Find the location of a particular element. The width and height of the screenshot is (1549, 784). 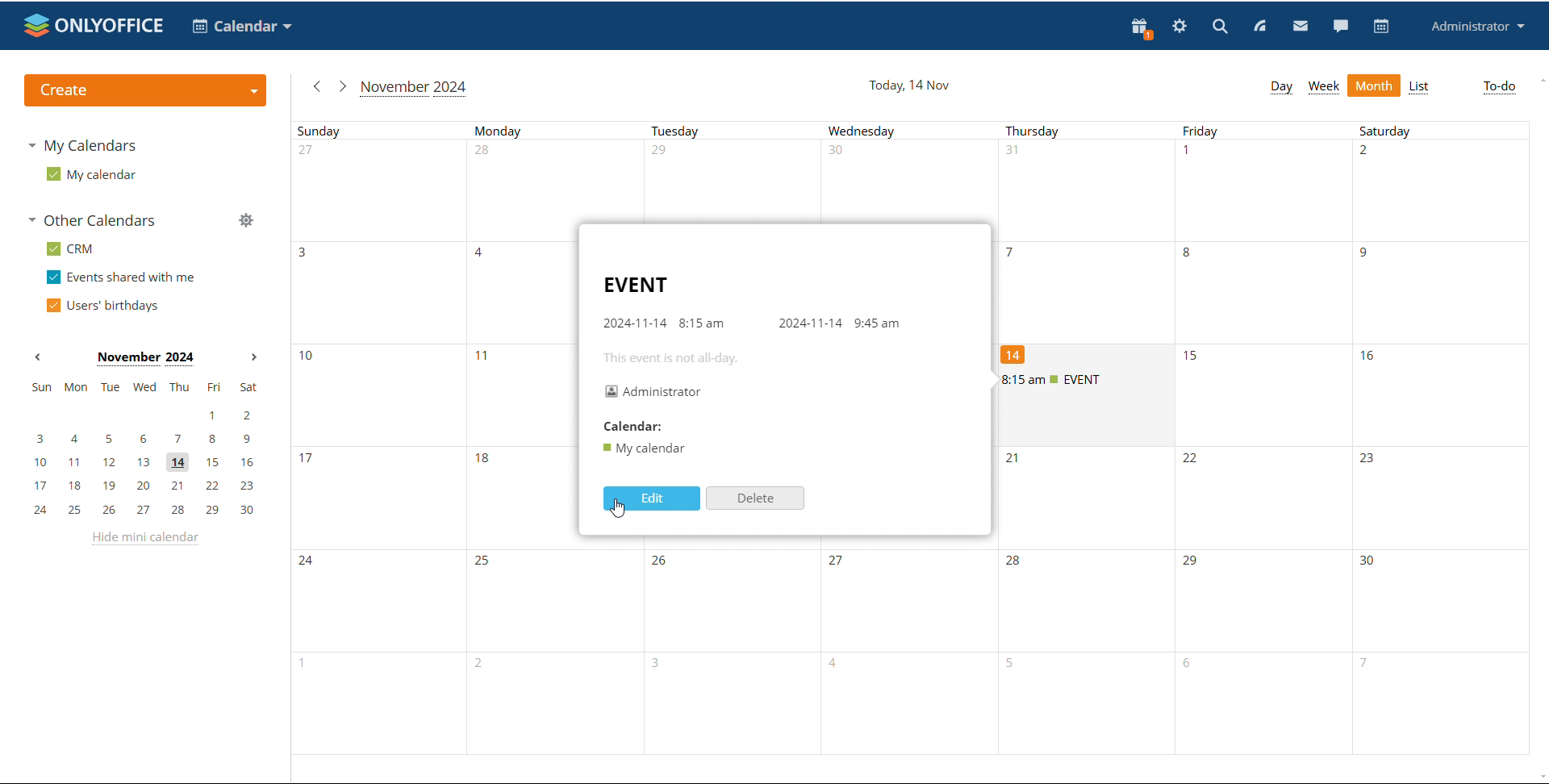

current month is located at coordinates (144, 359).